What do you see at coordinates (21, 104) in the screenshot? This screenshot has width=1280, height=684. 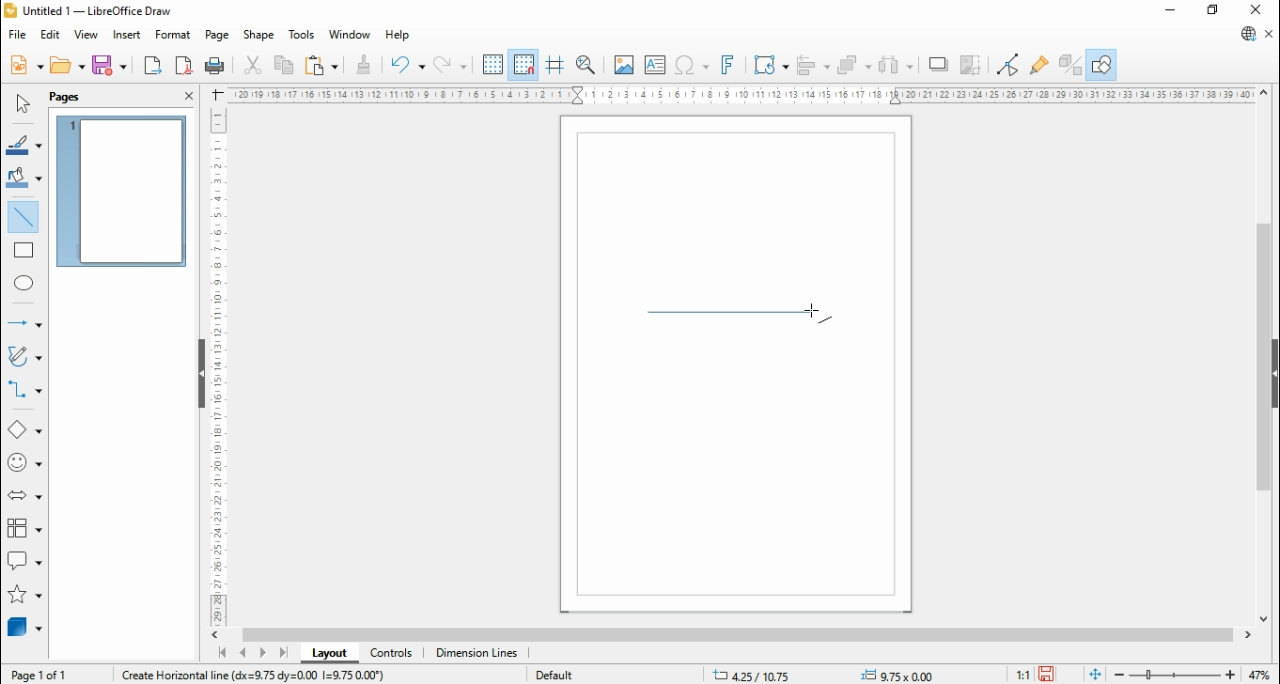 I see `select` at bounding box center [21, 104].